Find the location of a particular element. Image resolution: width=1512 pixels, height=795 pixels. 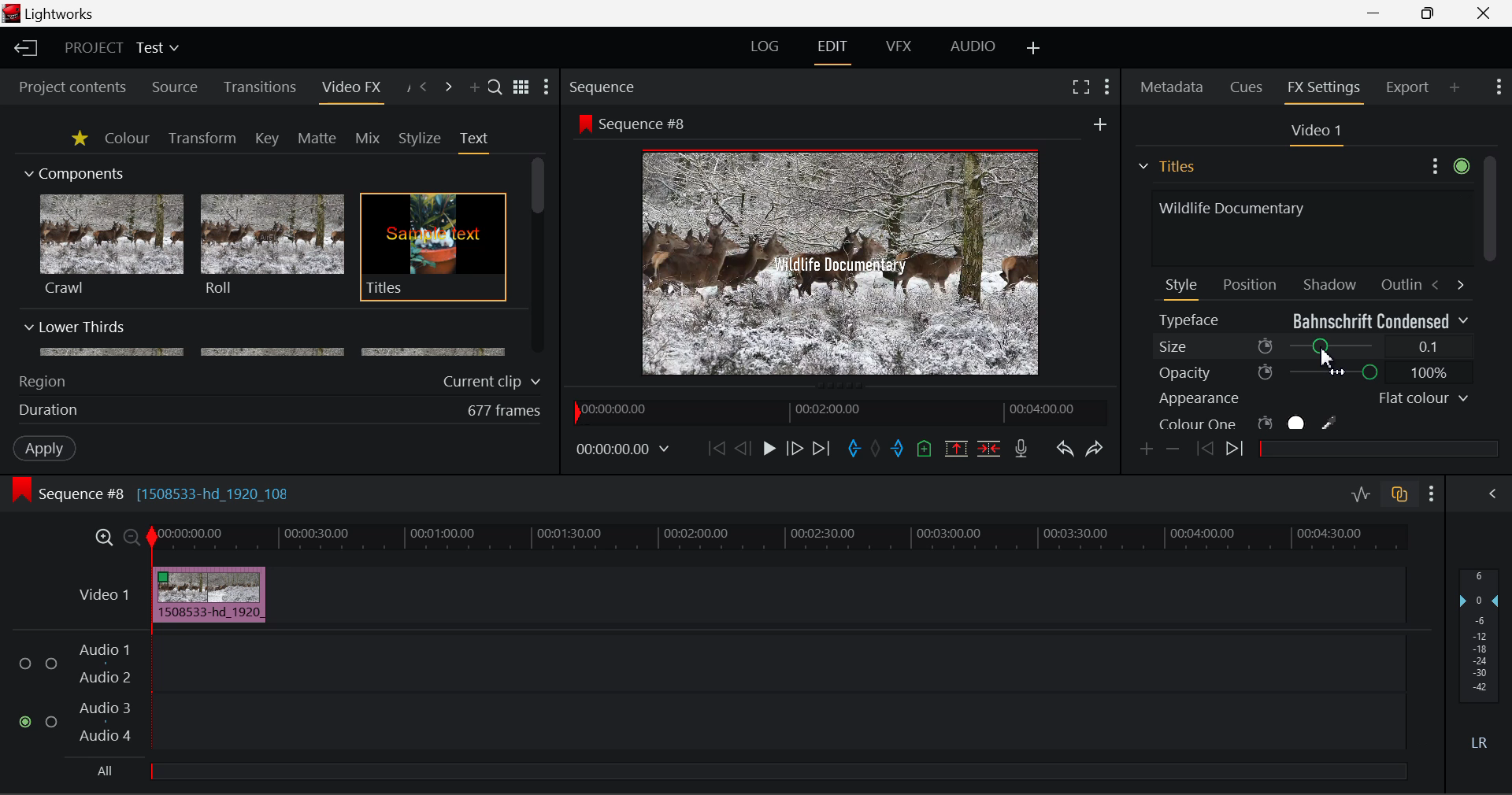

Components Section is located at coordinates (72, 170).